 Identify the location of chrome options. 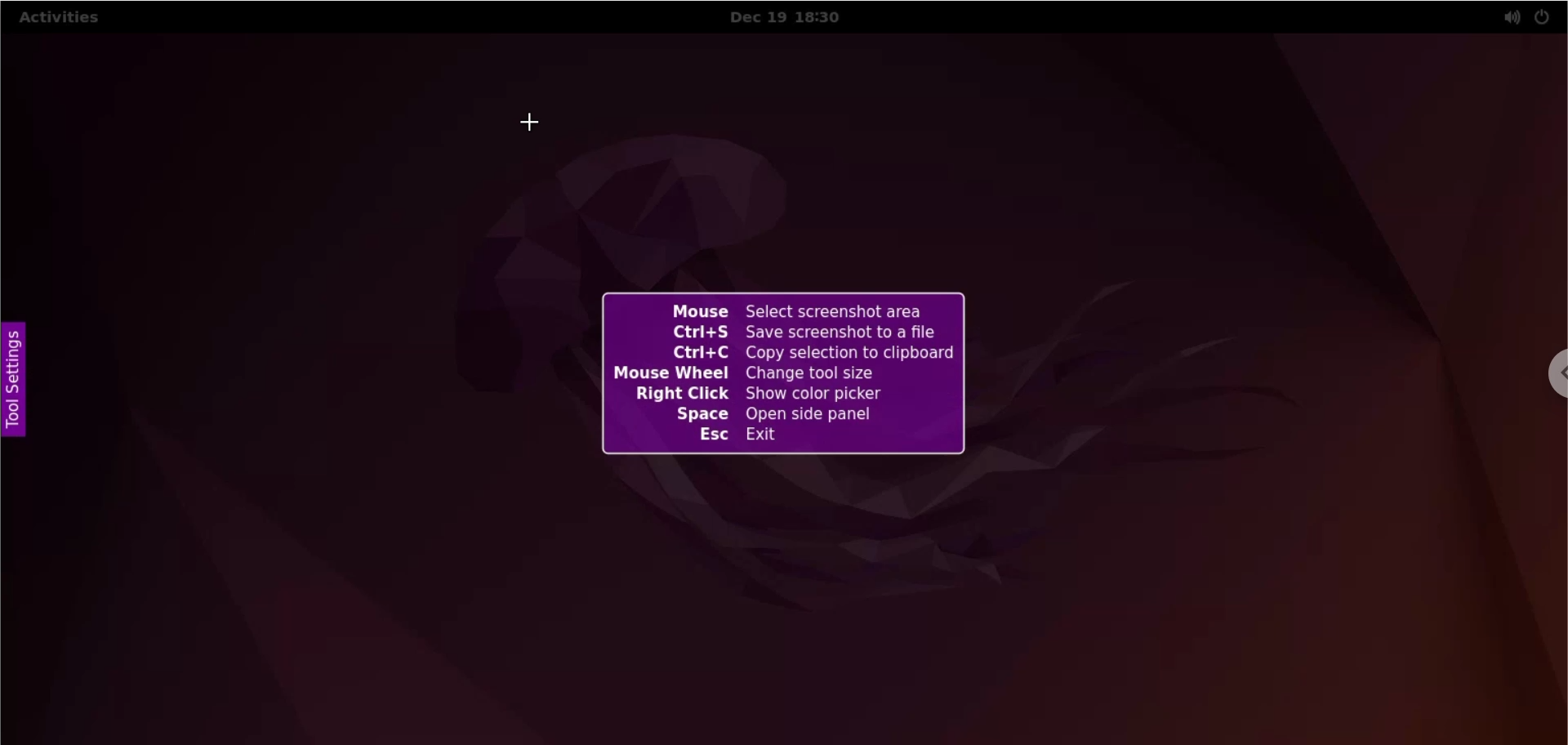
(1552, 373).